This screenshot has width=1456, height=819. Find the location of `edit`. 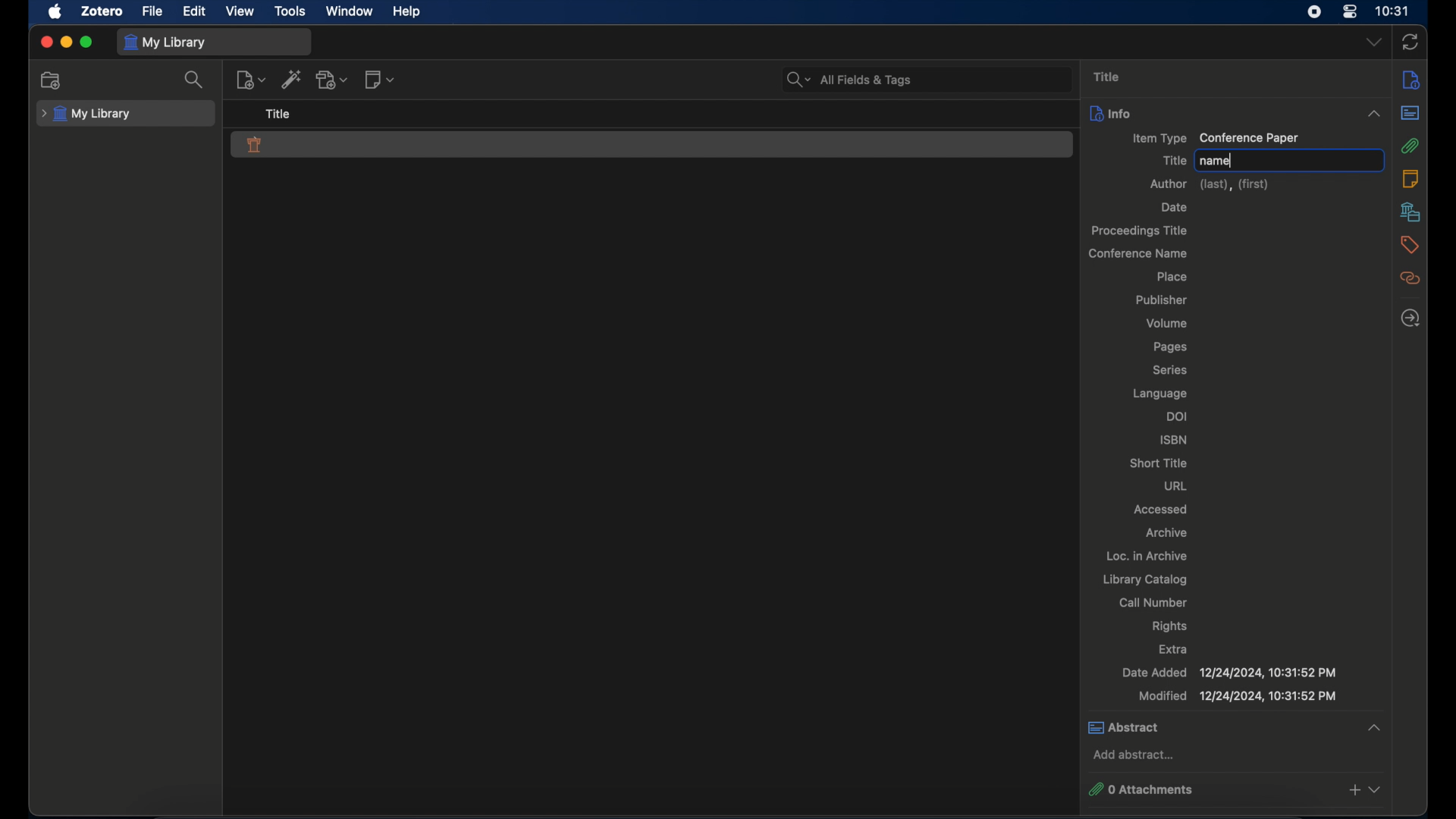

edit is located at coordinates (194, 11).